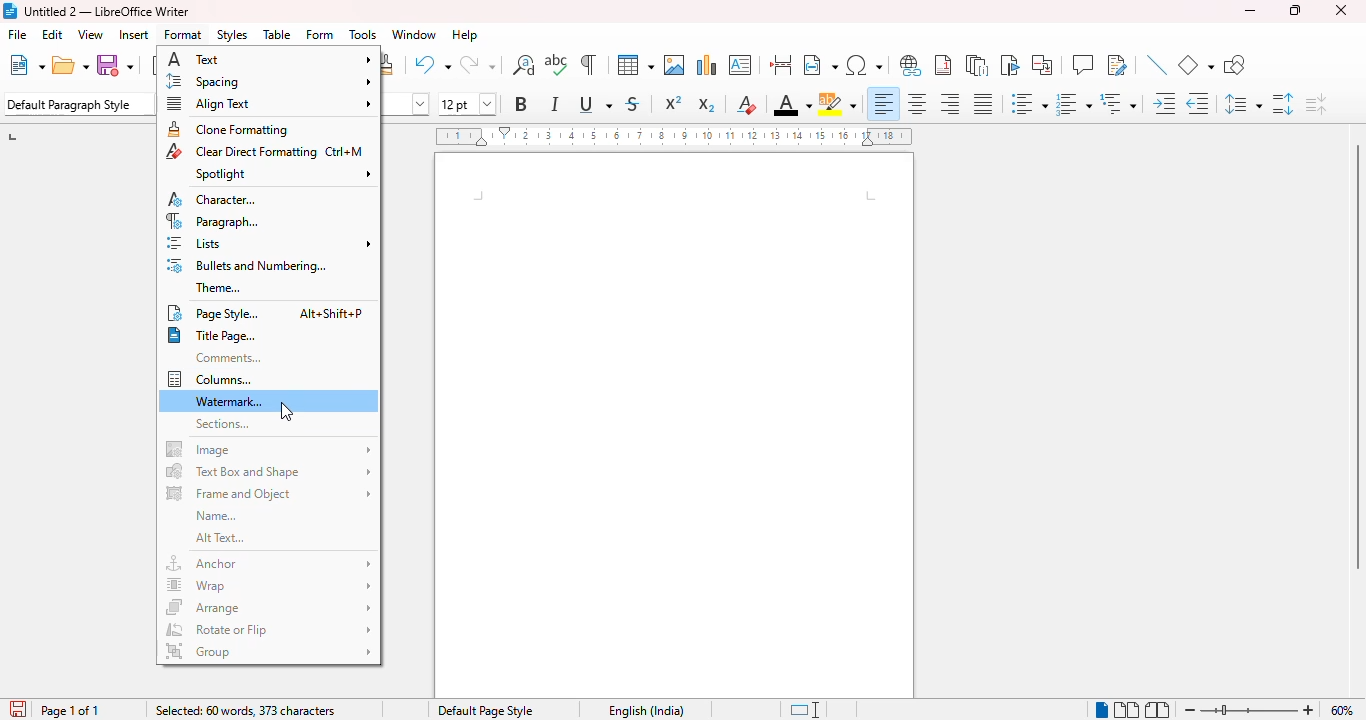  What do you see at coordinates (1189, 710) in the screenshot?
I see `zoom out` at bounding box center [1189, 710].